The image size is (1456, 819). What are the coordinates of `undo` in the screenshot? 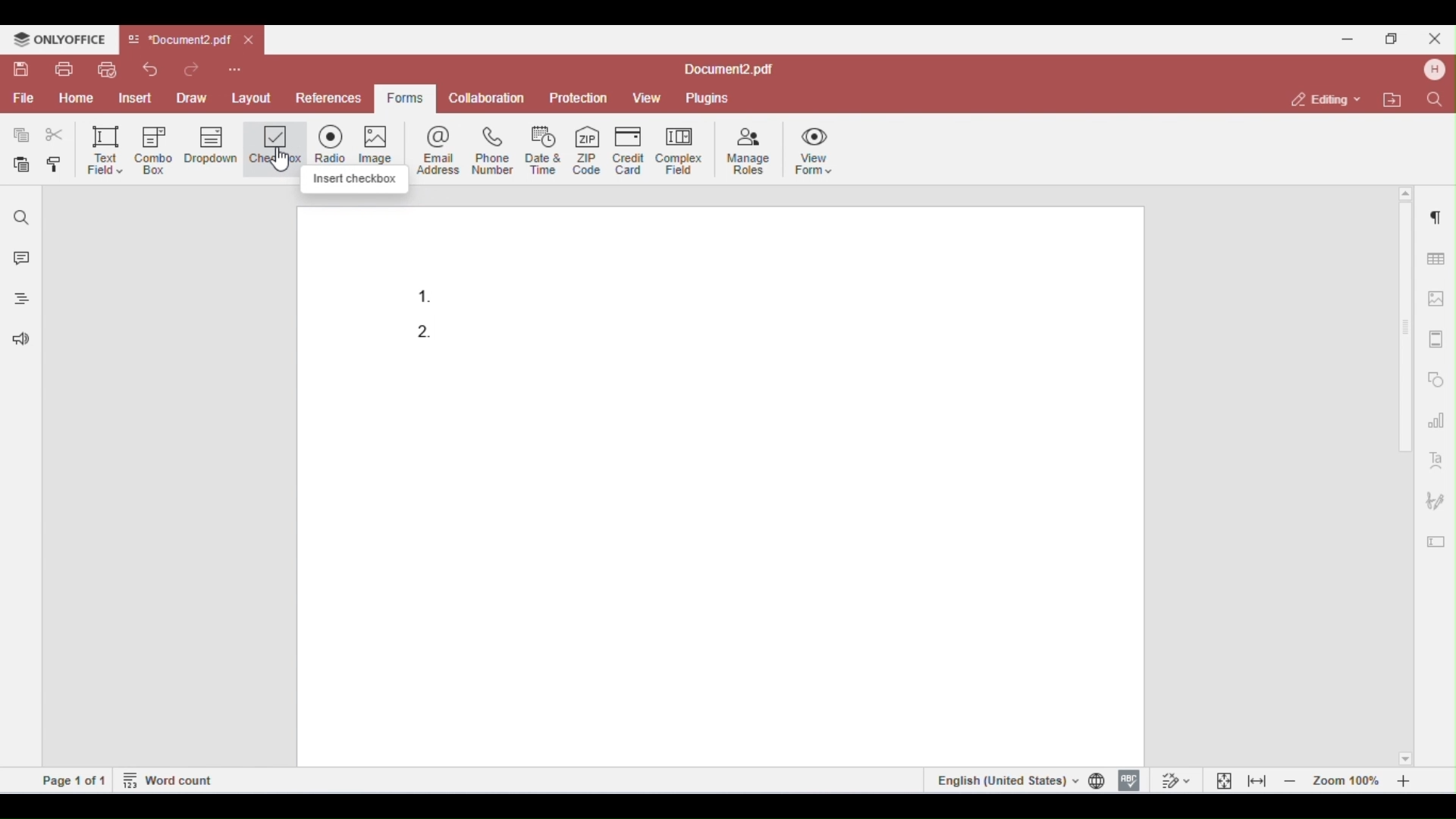 It's located at (150, 69).